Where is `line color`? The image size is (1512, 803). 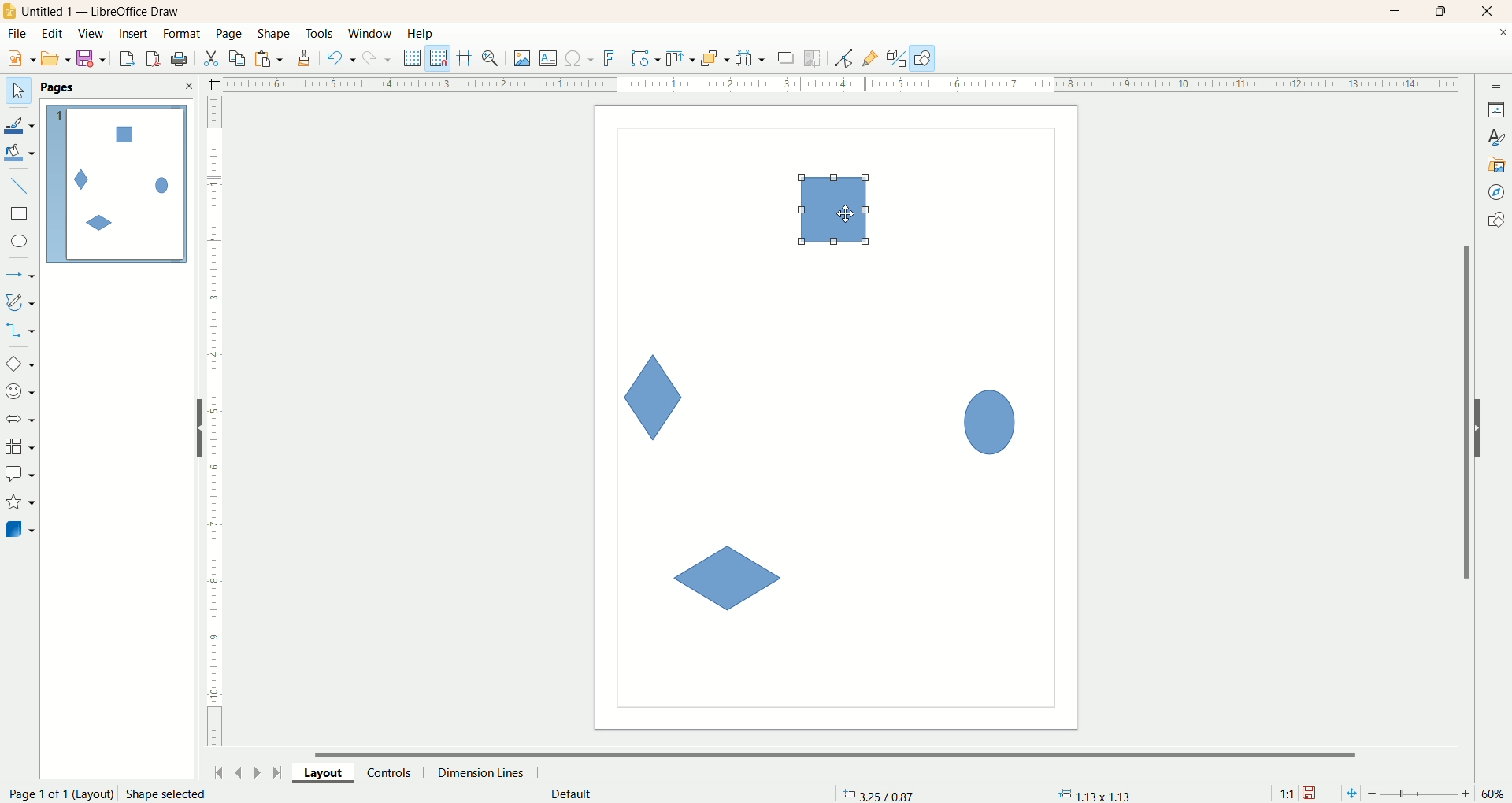 line color is located at coordinates (20, 124).